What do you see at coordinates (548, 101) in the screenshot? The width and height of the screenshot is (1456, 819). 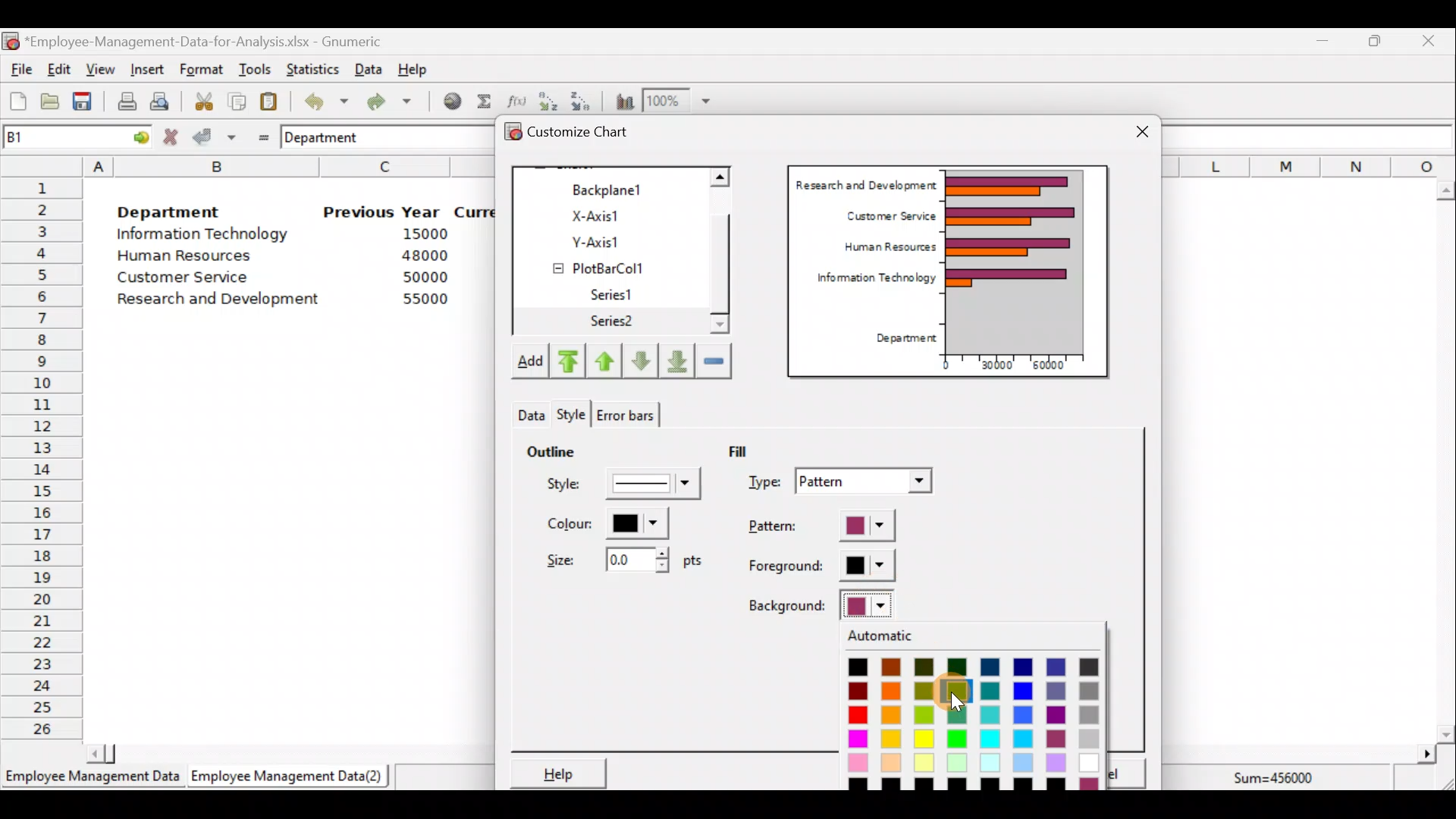 I see `Sort in Ascending order` at bounding box center [548, 101].